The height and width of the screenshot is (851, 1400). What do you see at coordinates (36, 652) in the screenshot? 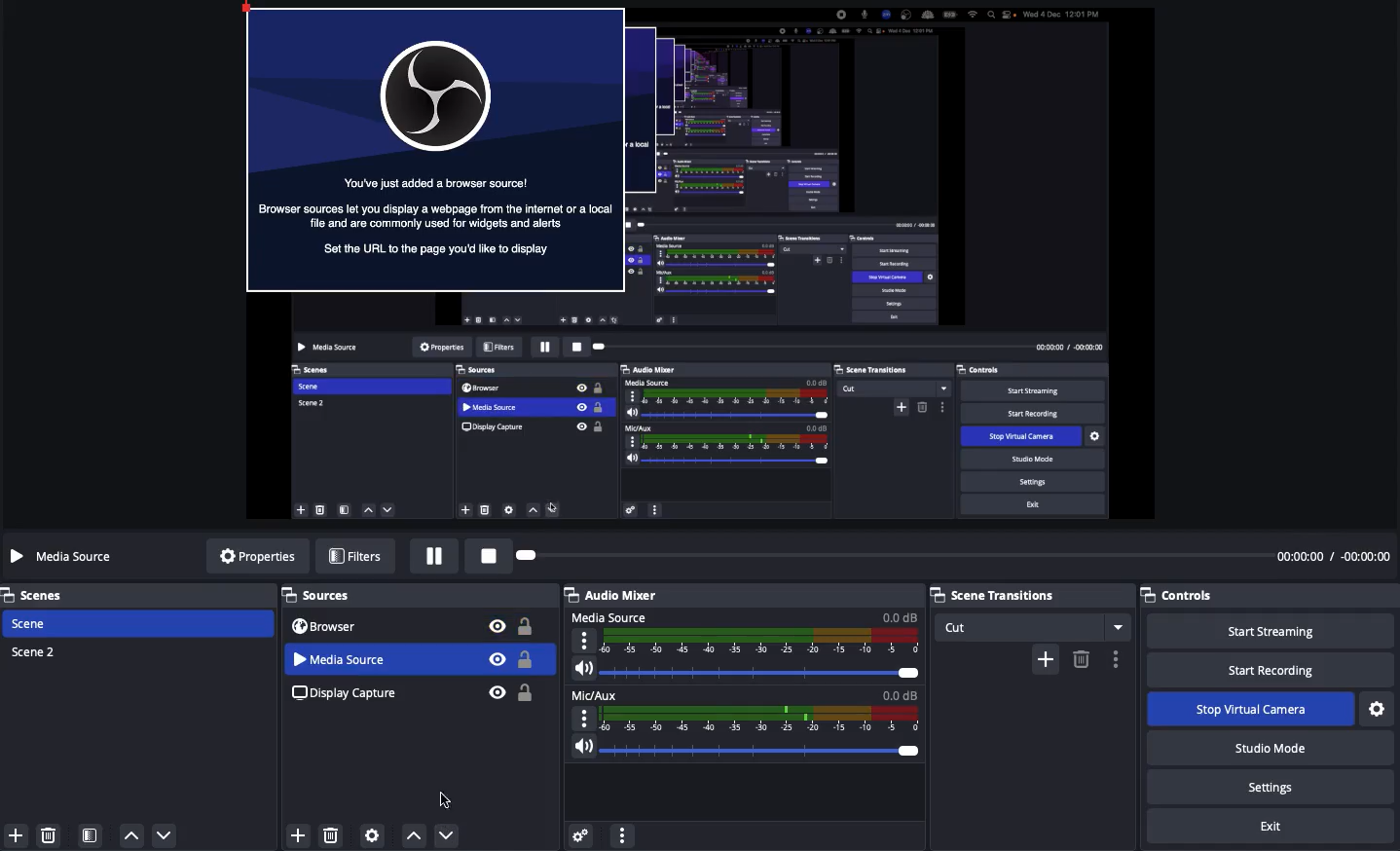
I see `Scene 2` at bounding box center [36, 652].